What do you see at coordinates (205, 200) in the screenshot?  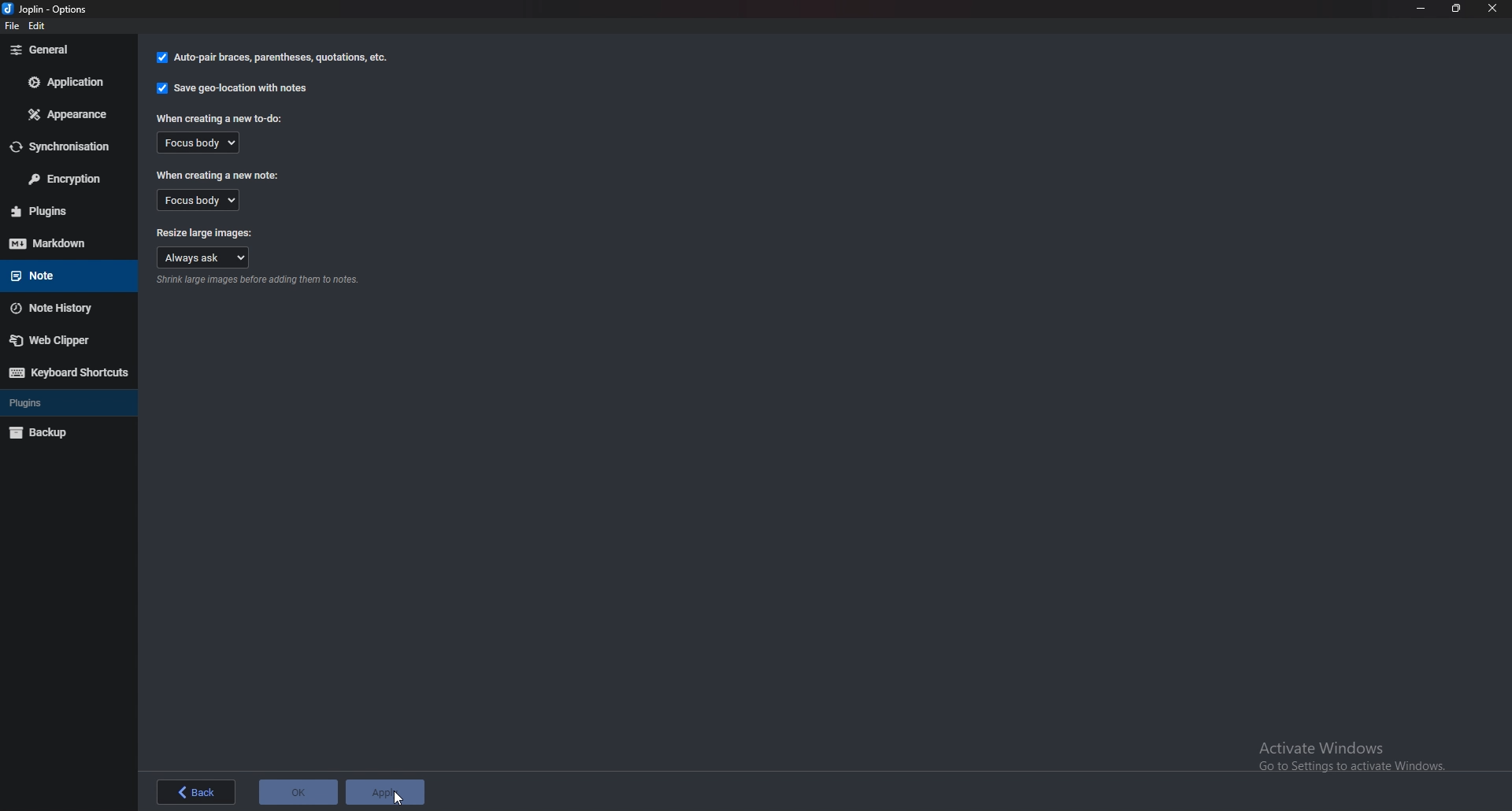 I see `Focus body` at bounding box center [205, 200].